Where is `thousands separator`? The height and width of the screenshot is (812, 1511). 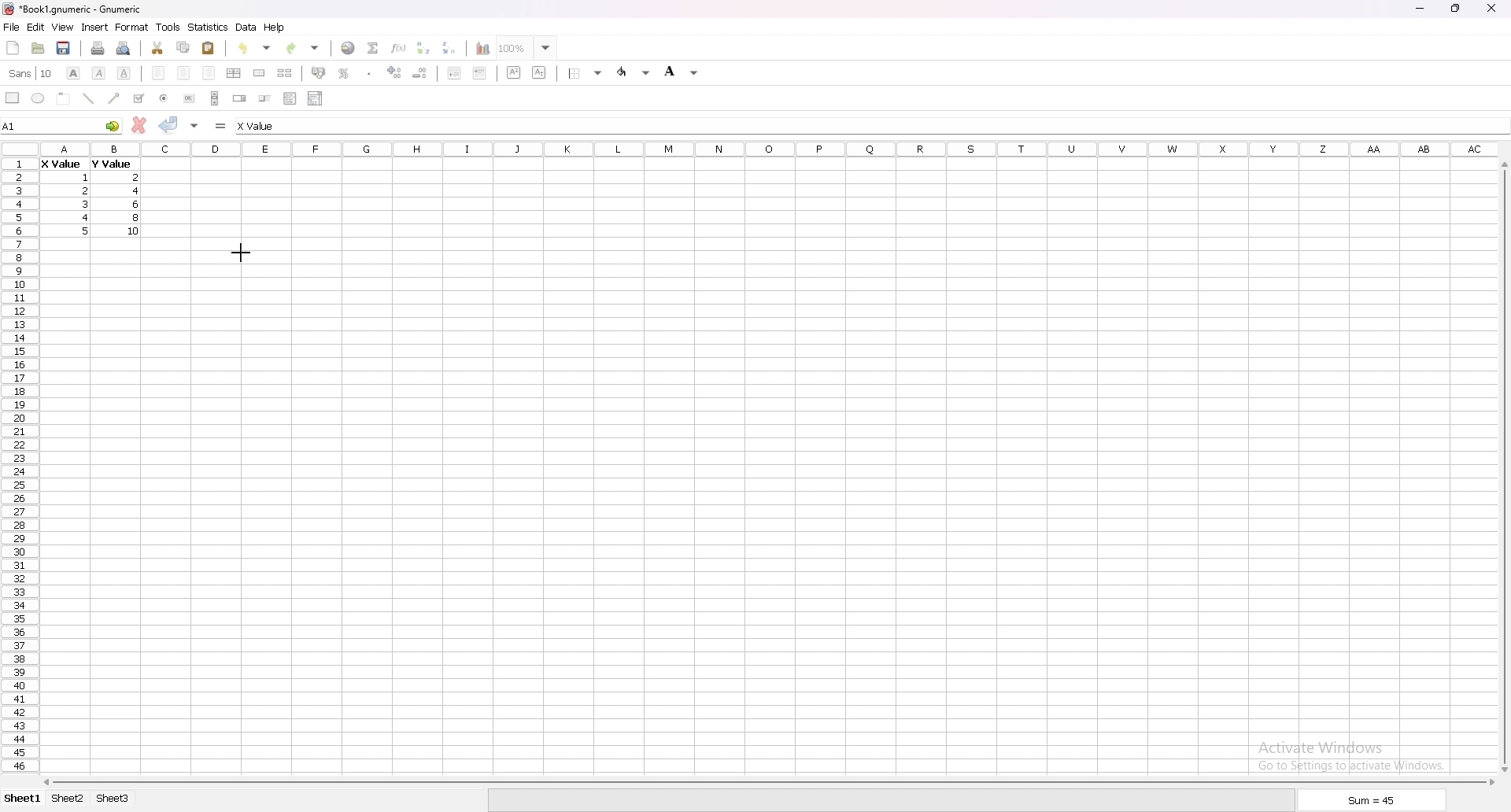 thousands separator is located at coordinates (370, 72).